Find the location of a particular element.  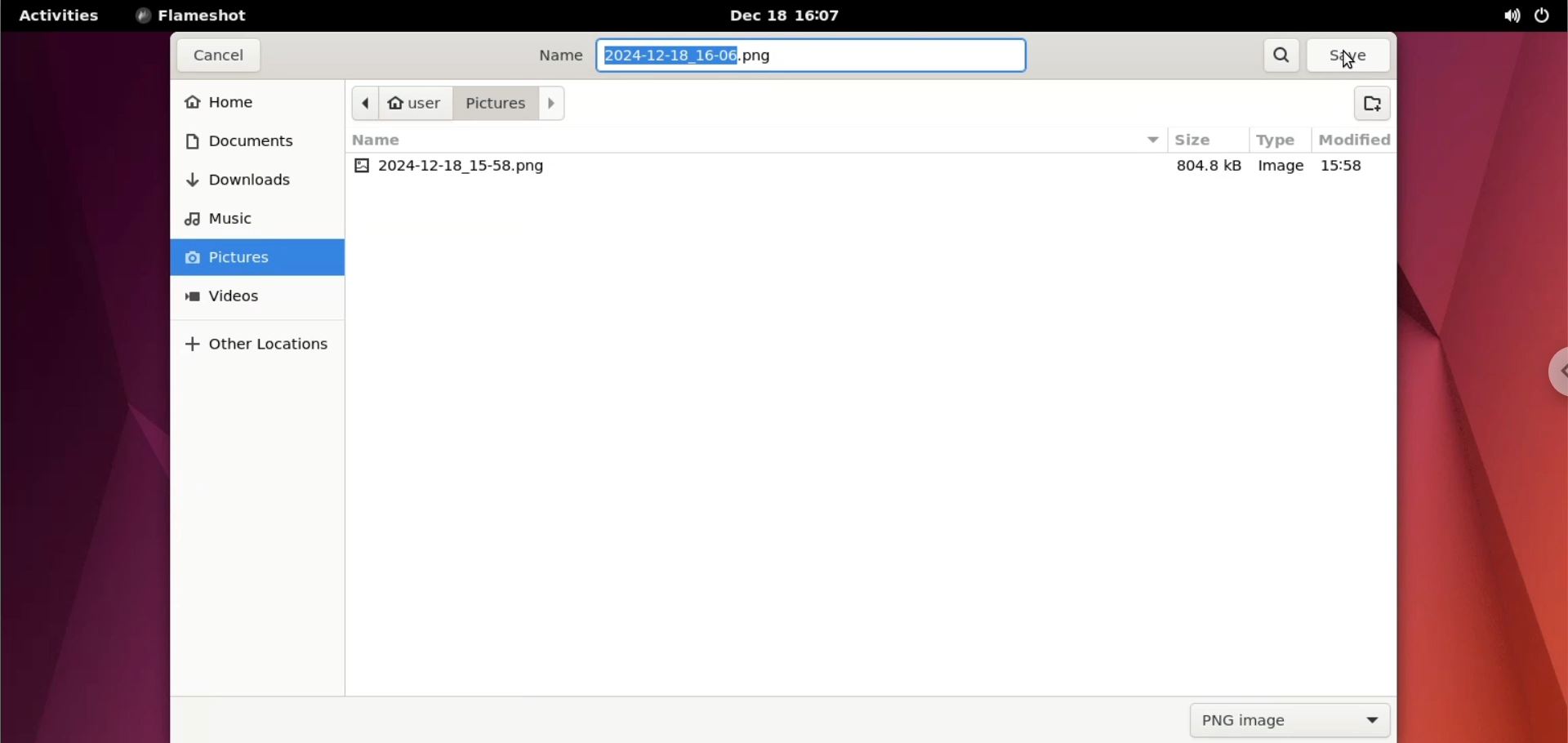

file size is located at coordinates (1204, 166).